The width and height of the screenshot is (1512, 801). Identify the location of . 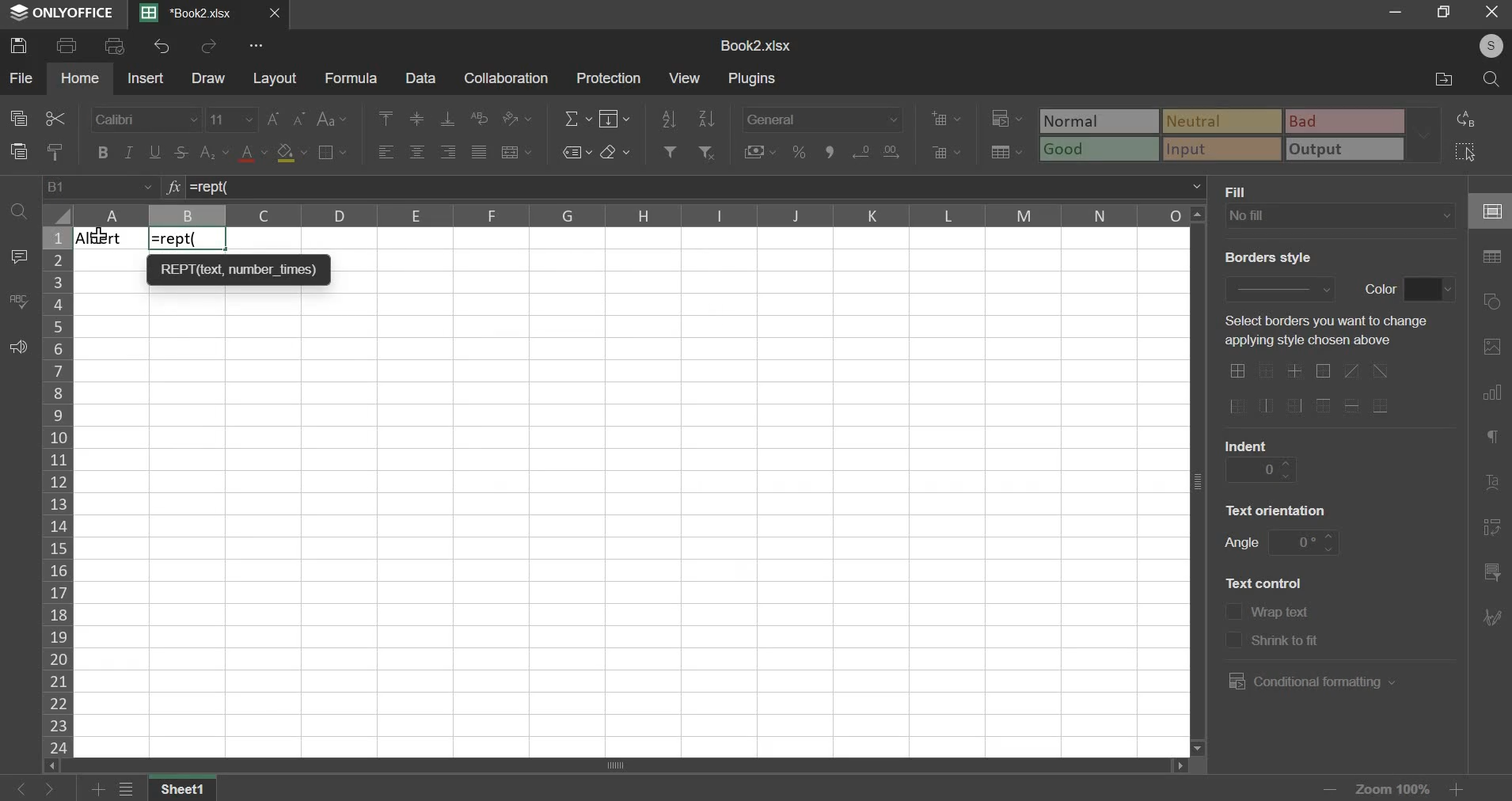
(1495, 618).